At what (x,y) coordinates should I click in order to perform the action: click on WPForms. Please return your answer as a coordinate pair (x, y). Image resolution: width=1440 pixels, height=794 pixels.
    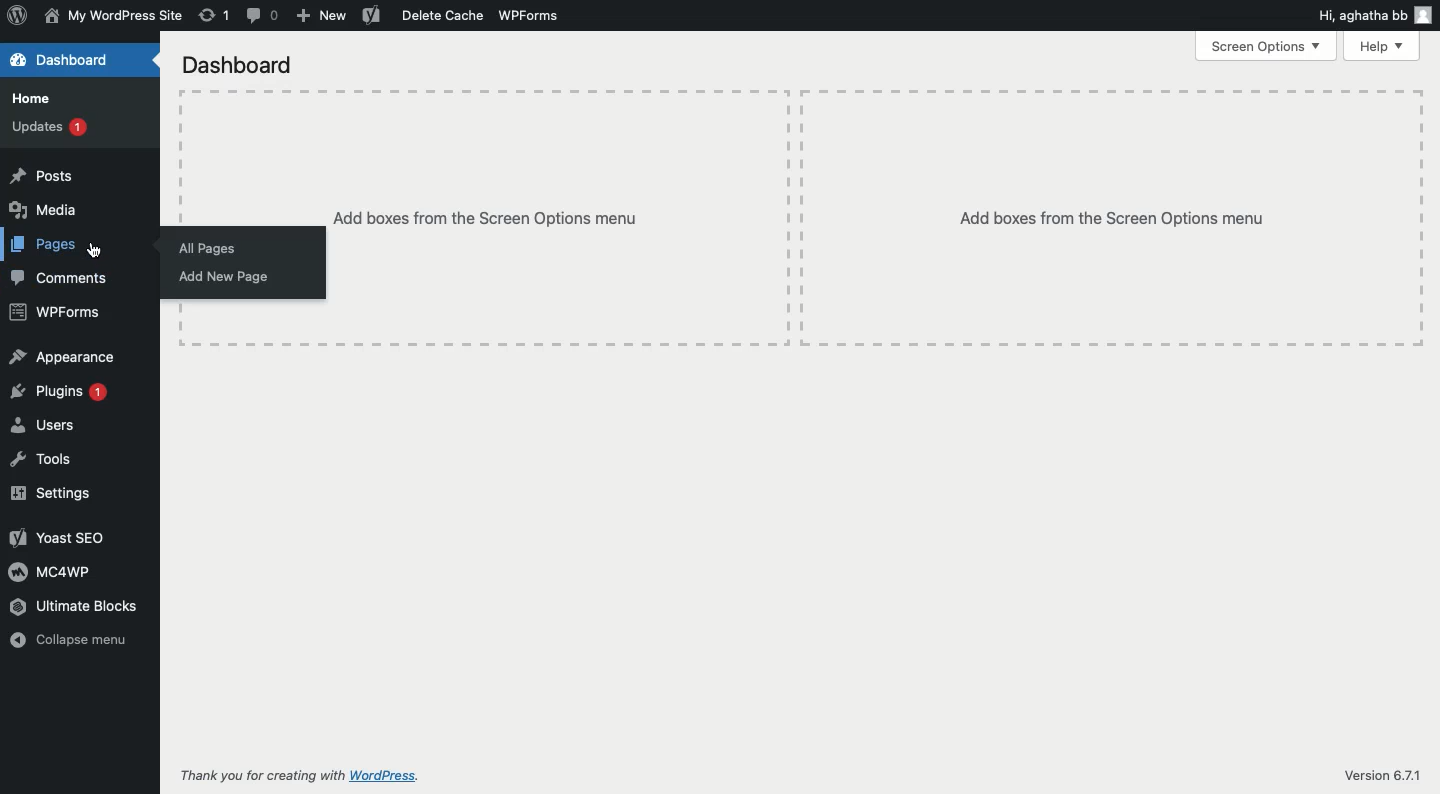
    Looking at the image, I should click on (53, 314).